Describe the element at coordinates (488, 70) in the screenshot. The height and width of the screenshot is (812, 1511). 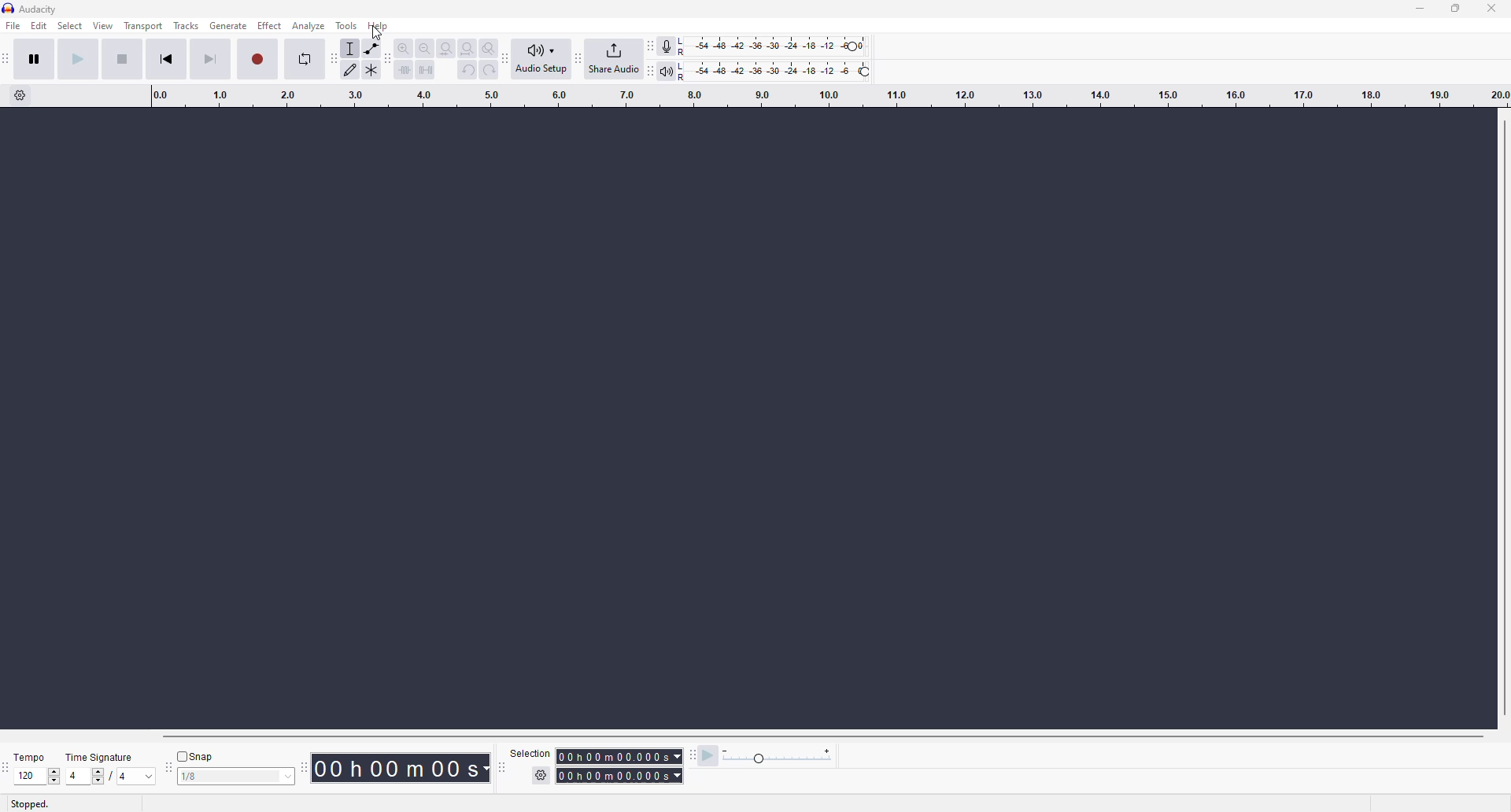
I see `redo` at that location.